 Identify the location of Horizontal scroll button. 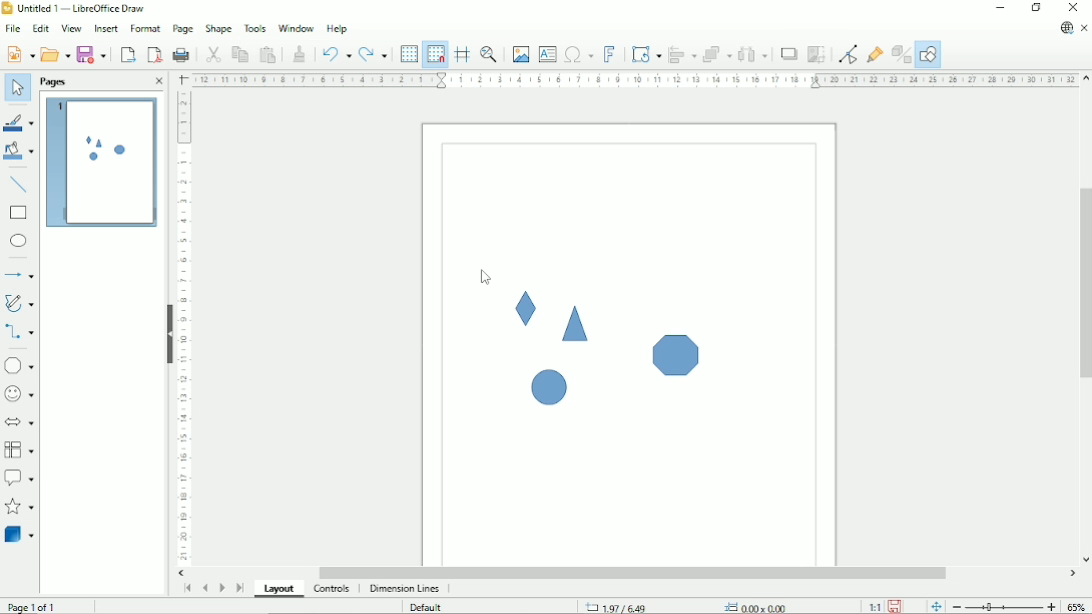
(1073, 573).